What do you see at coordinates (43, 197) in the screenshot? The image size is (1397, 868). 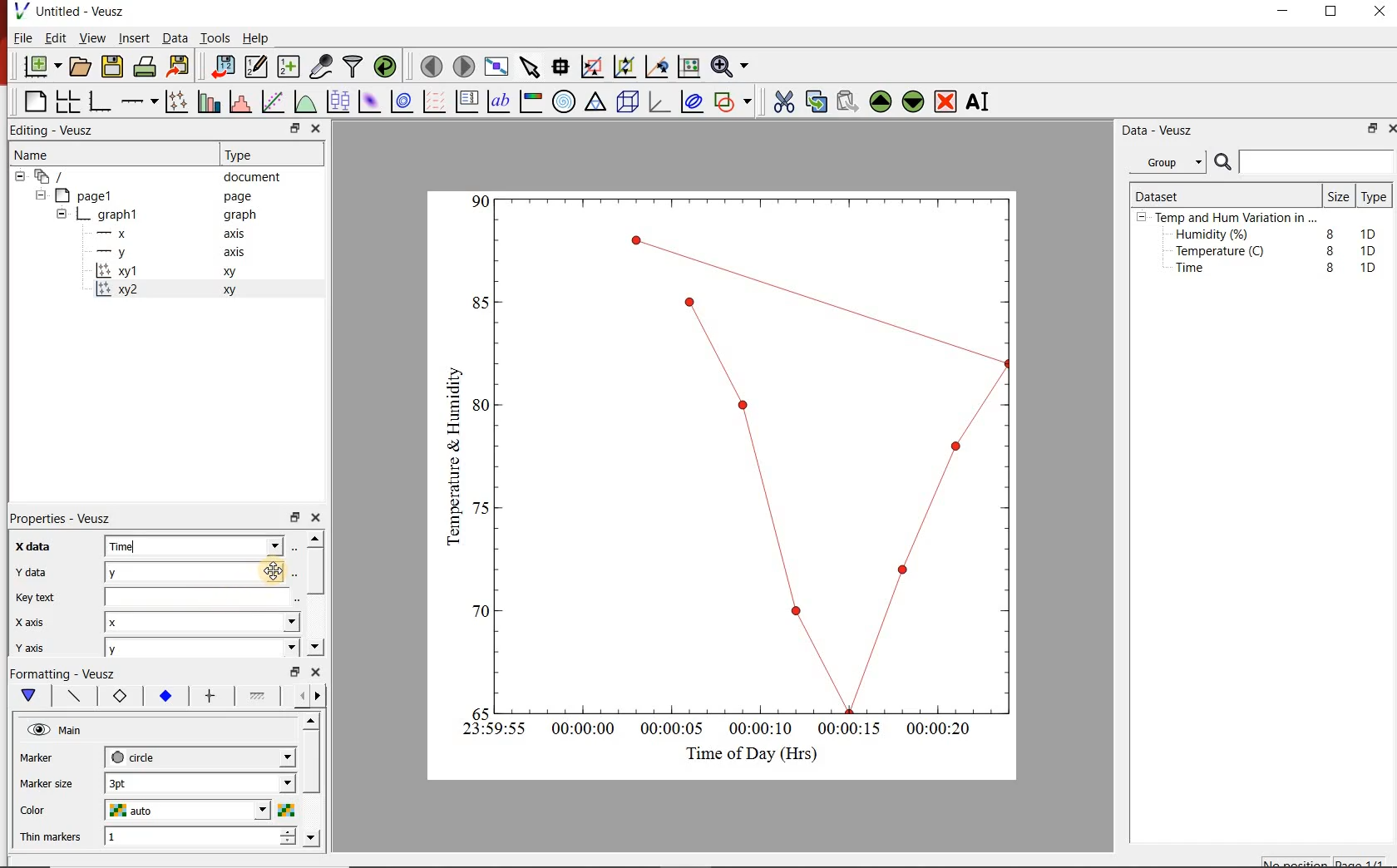 I see `hide sub menu` at bounding box center [43, 197].